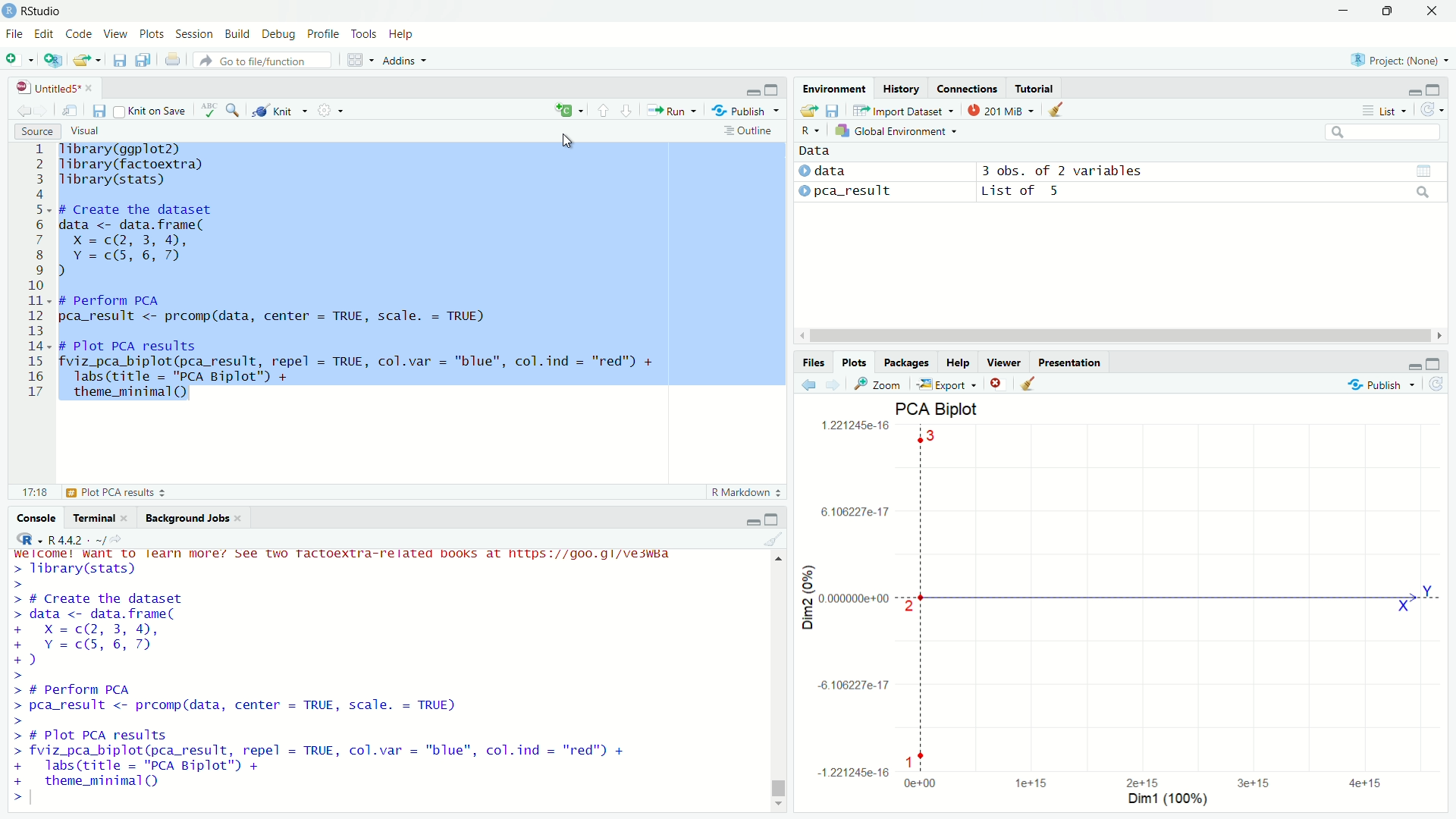 This screenshot has width=1456, height=819. What do you see at coordinates (1430, 110) in the screenshot?
I see `refresh` at bounding box center [1430, 110].